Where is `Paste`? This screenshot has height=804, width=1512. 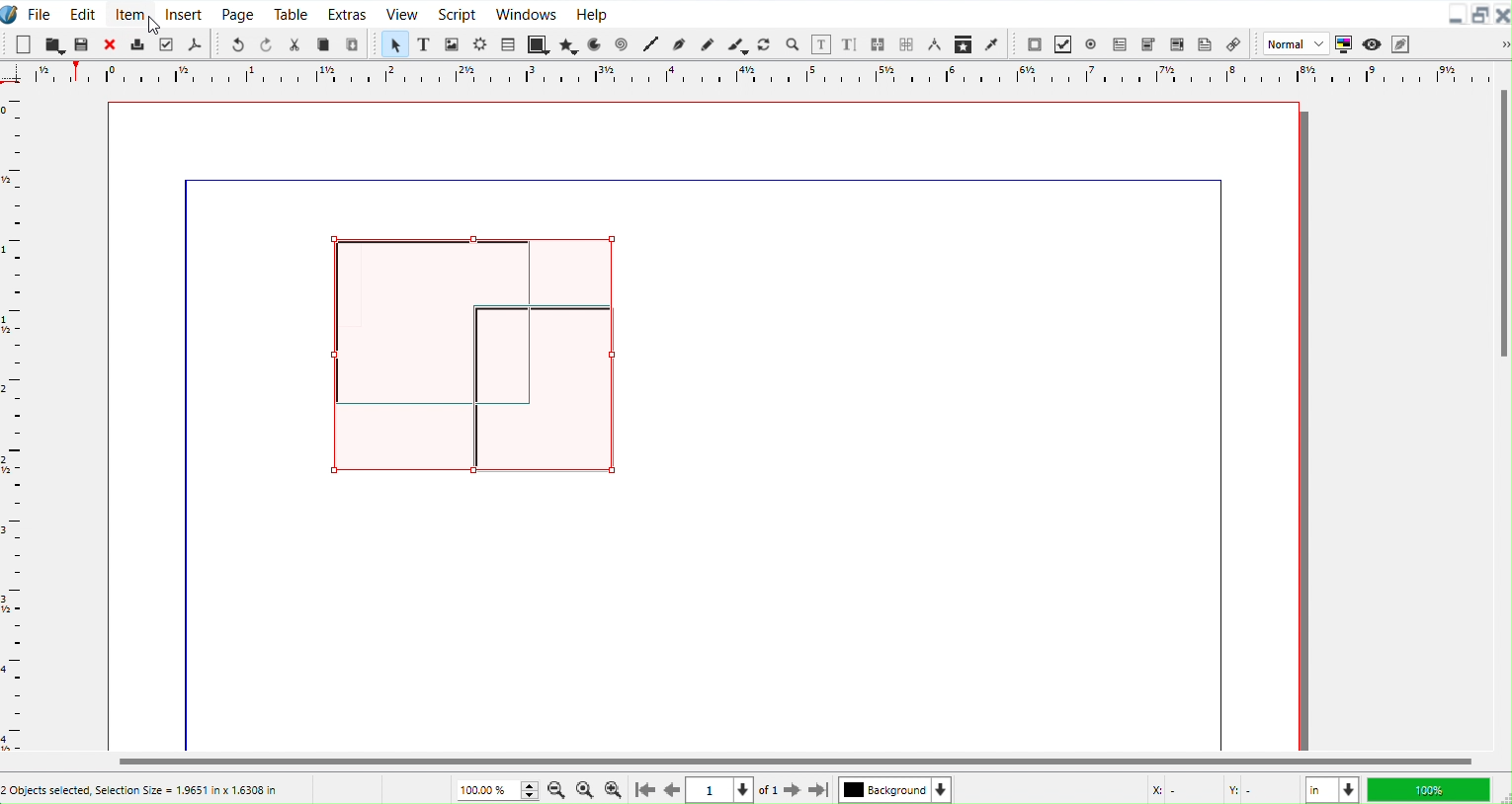 Paste is located at coordinates (354, 43).